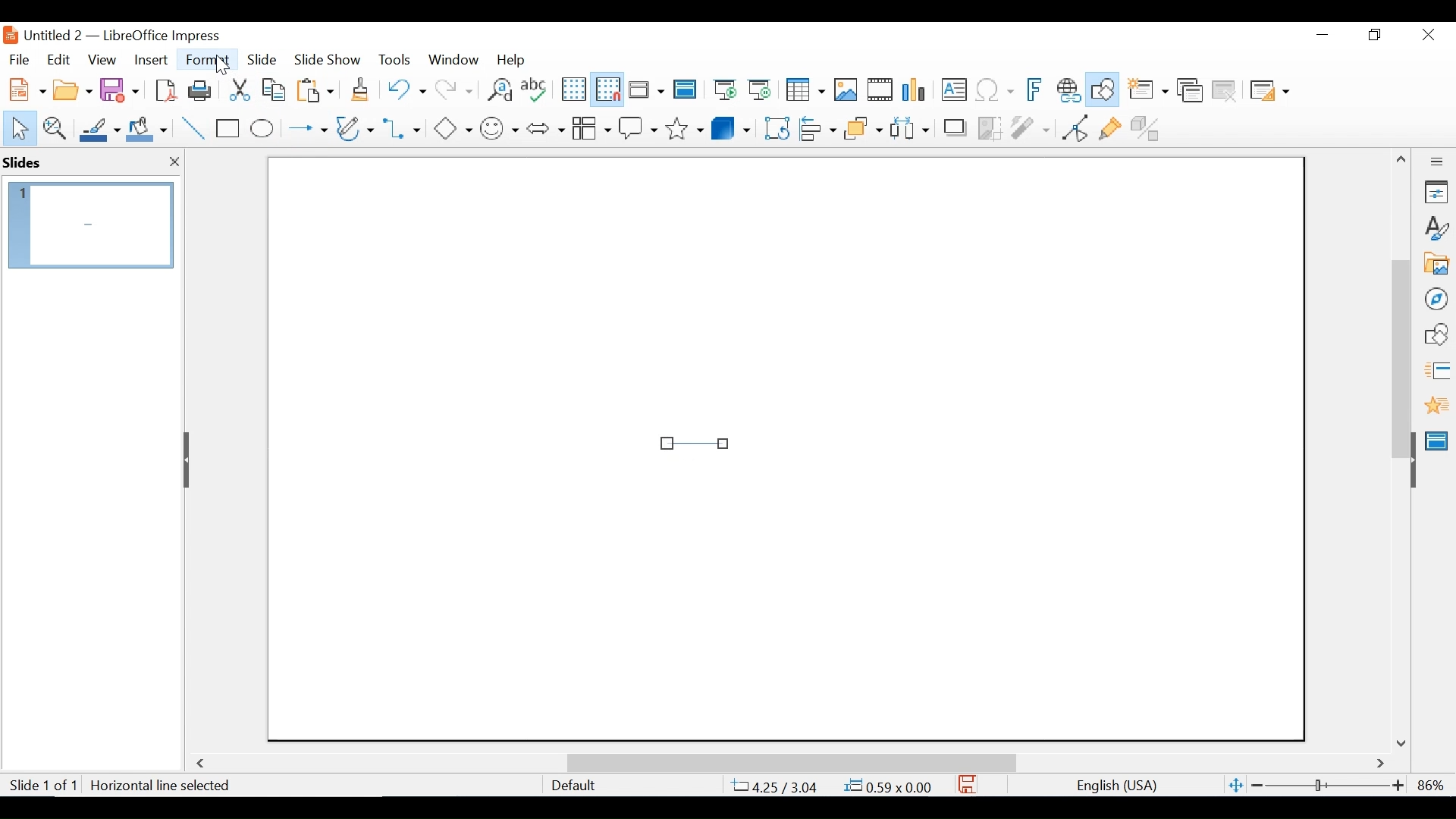  I want to click on Insert Frontwork, so click(1036, 90).